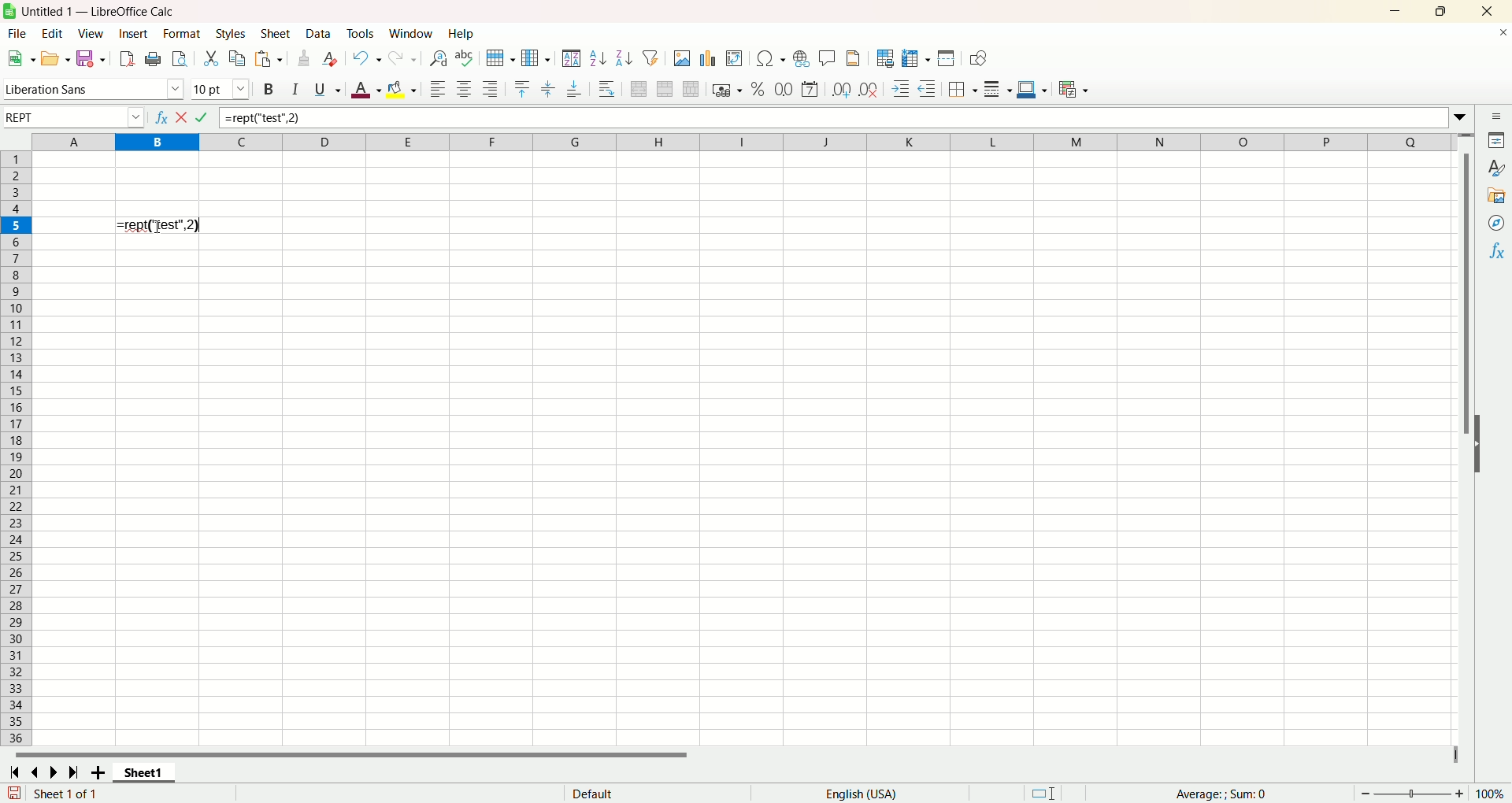  What do you see at coordinates (884, 58) in the screenshot?
I see `define print area` at bounding box center [884, 58].